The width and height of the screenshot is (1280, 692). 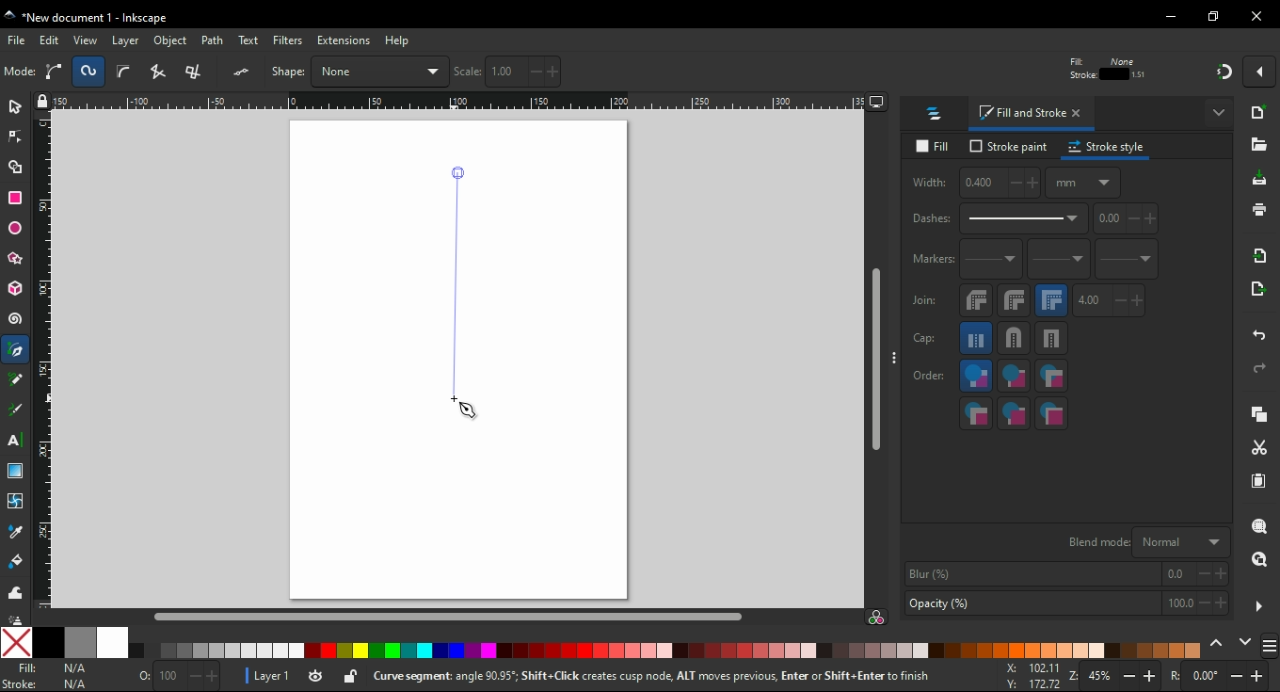 I want to click on minimize, so click(x=1172, y=17).